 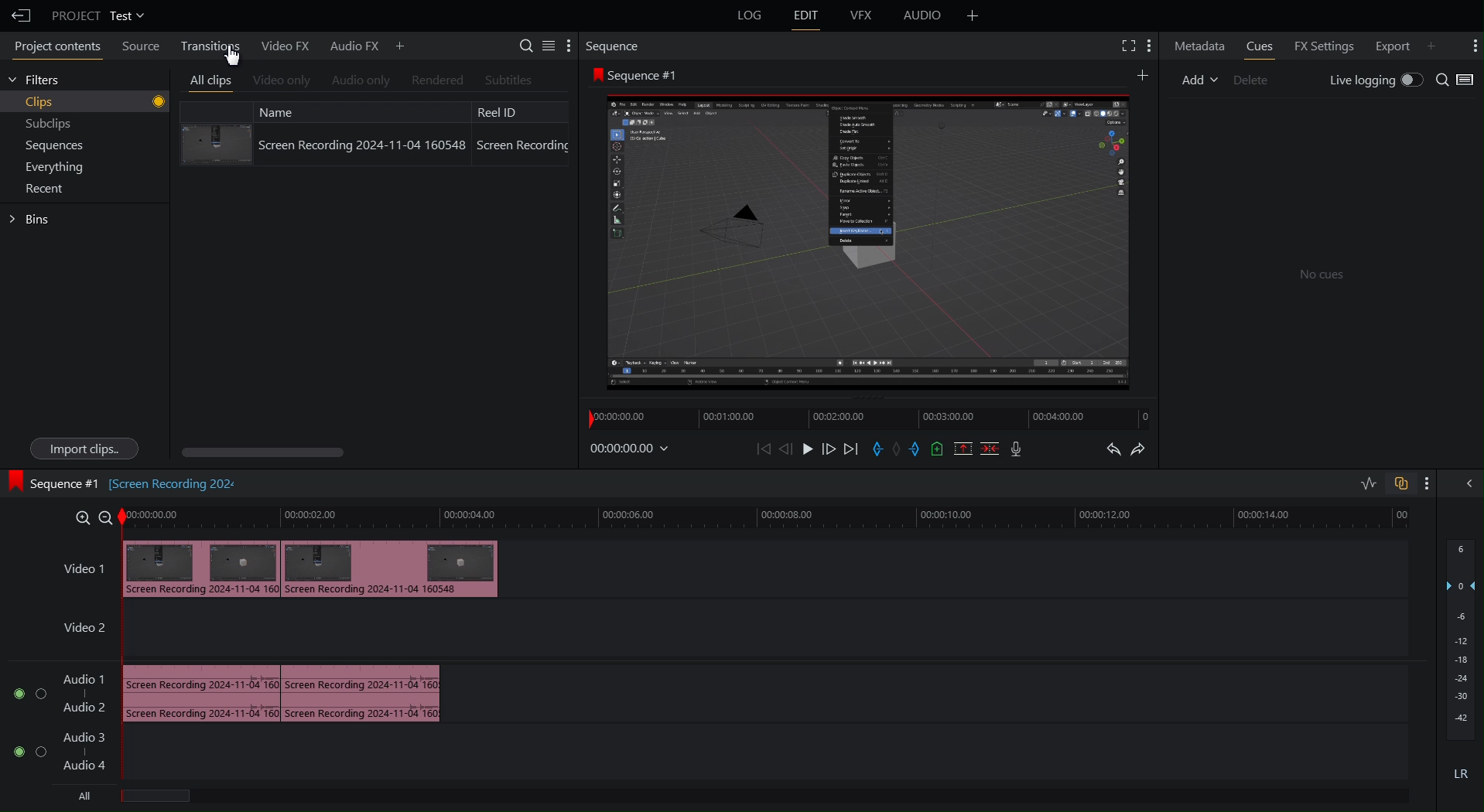 I want to click on Audio, so click(x=926, y=15).